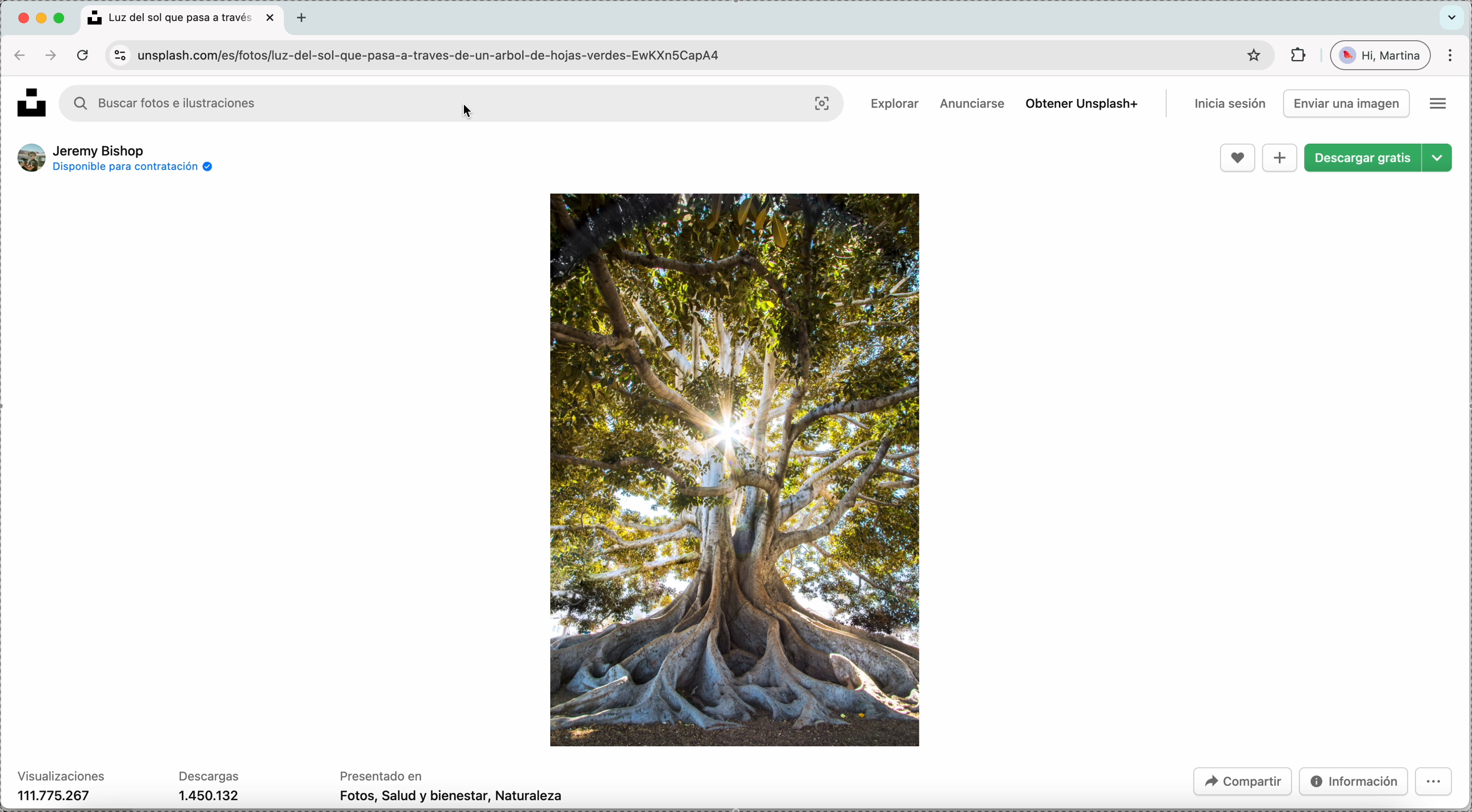 Image resolution: width=1472 pixels, height=812 pixels. What do you see at coordinates (1453, 55) in the screenshot?
I see `customize and control Google Chrome` at bounding box center [1453, 55].